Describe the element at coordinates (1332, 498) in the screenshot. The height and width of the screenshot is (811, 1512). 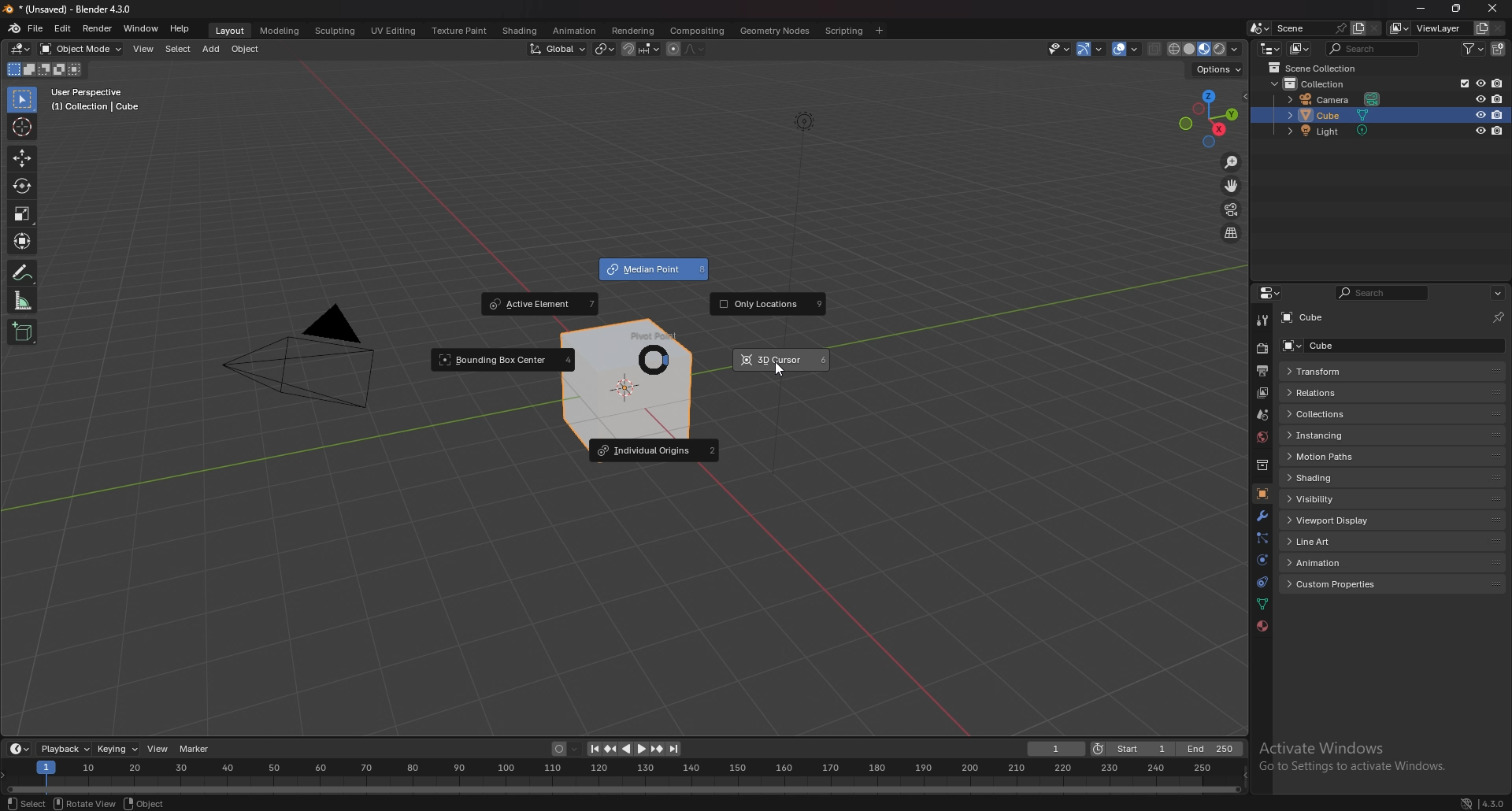
I see `visibility` at that location.